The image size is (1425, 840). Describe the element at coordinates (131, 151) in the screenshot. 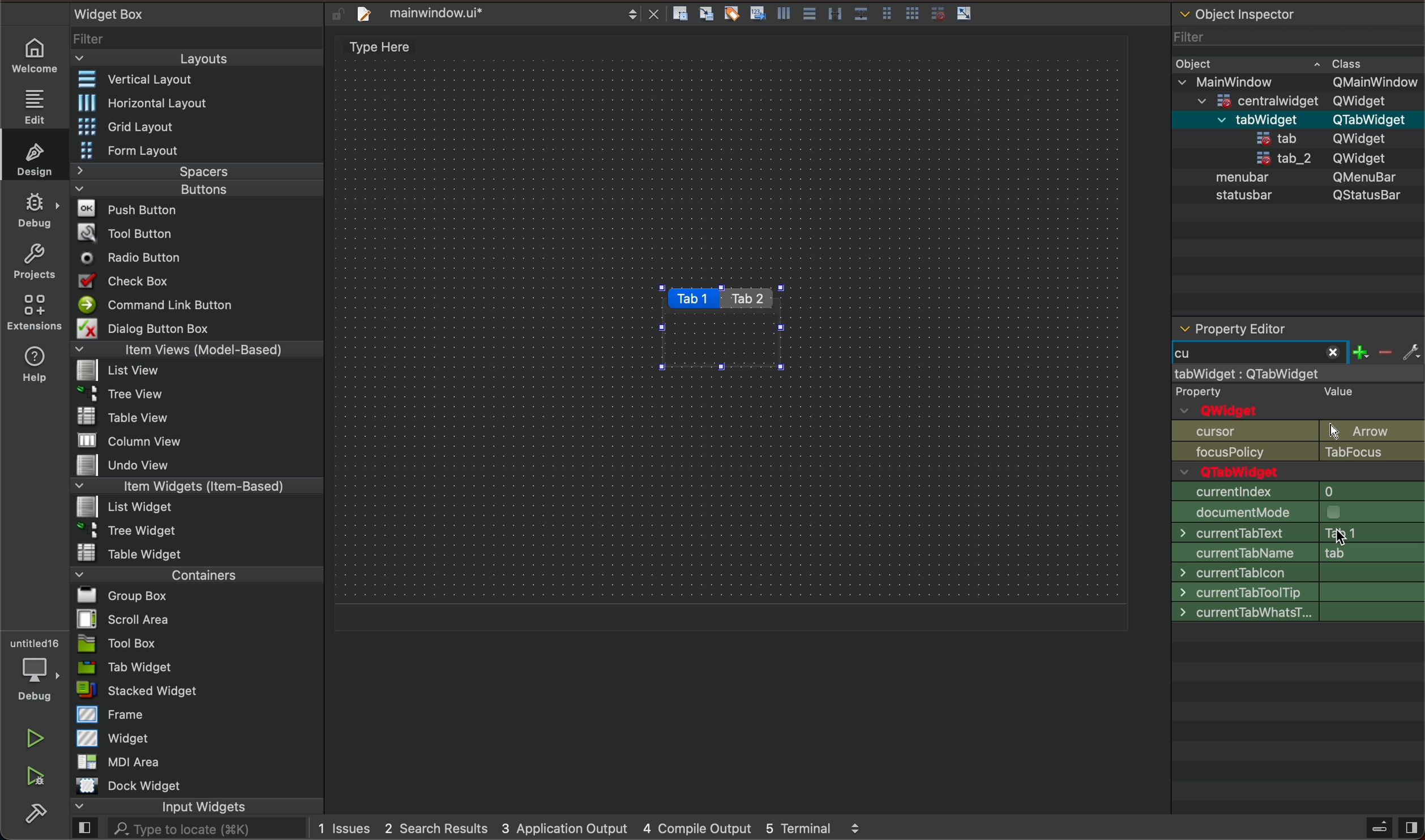

I see ` Form Layout` at that location.